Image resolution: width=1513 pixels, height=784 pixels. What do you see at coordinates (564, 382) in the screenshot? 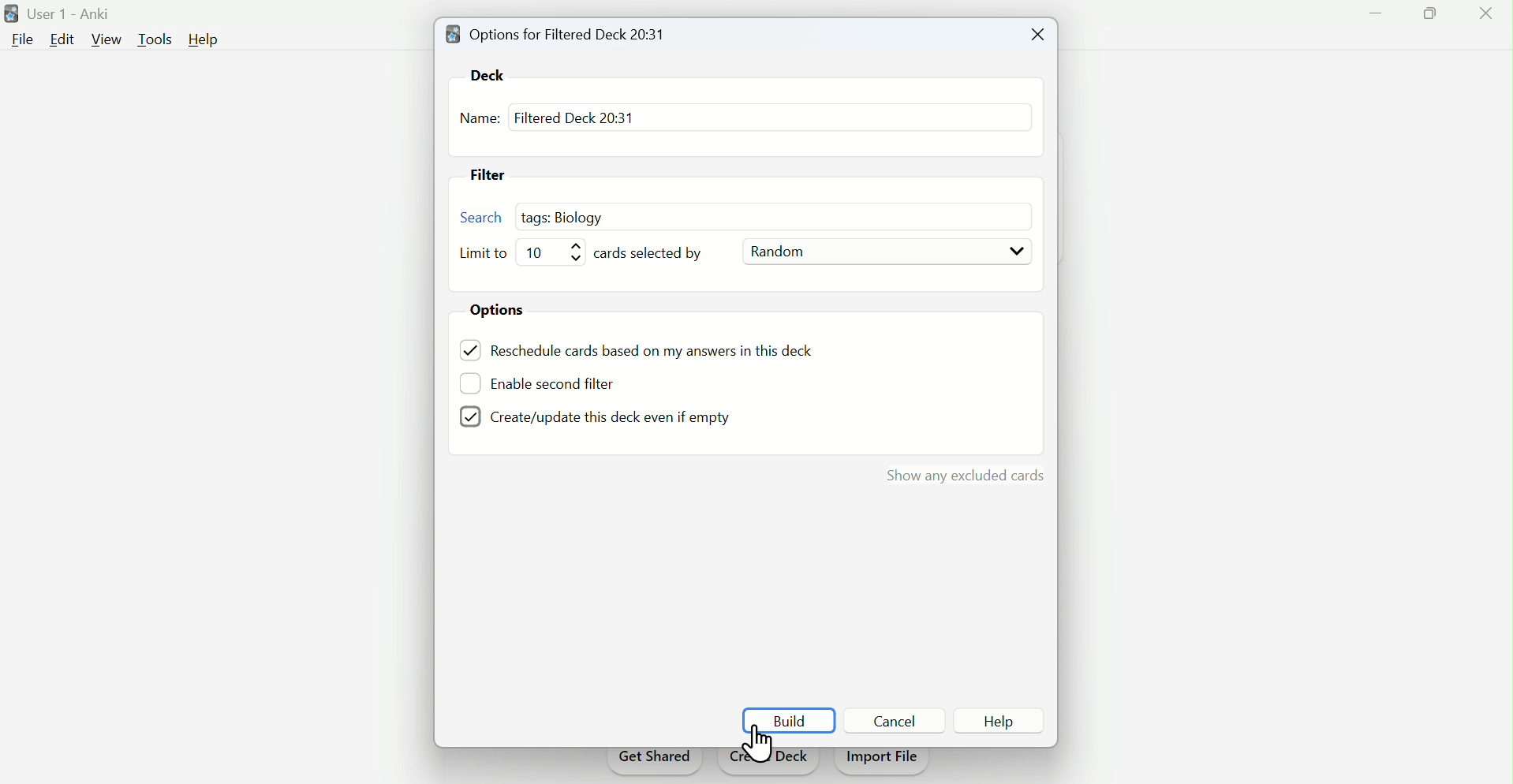
I see ` Enable second Filter` at bounding box center [564, 382].